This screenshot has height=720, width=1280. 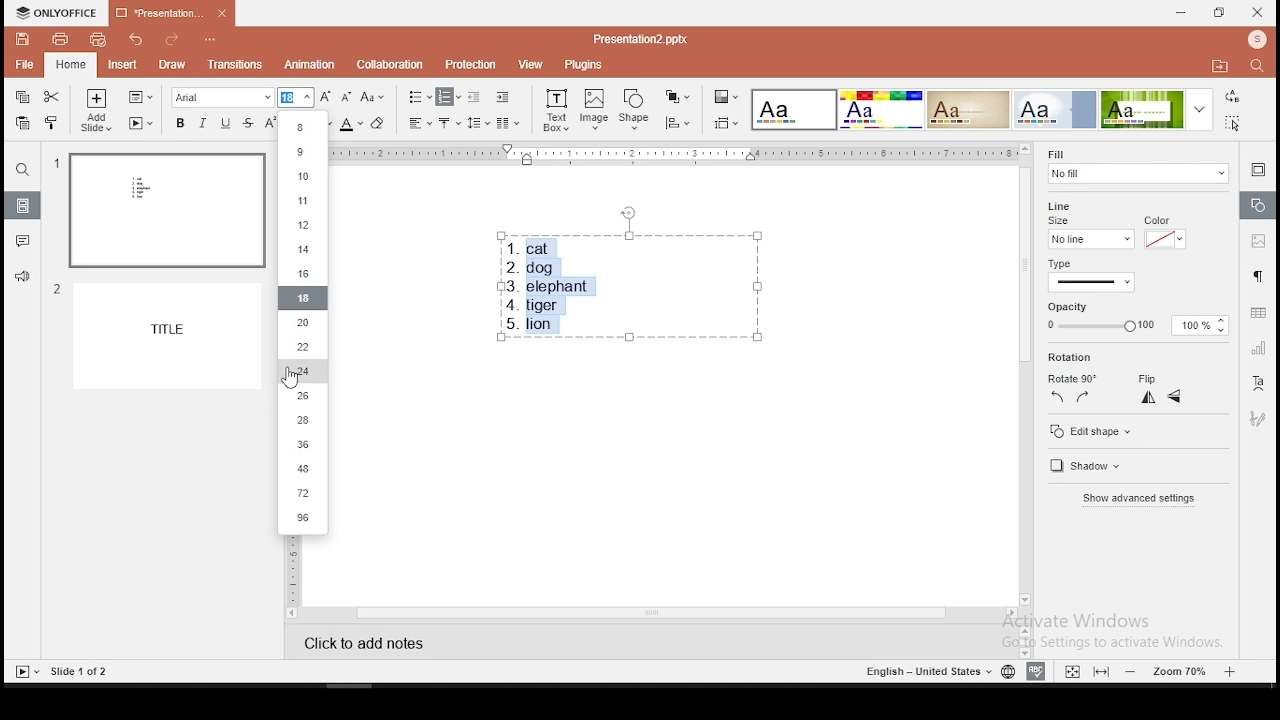 What do you see at coordinates (556, 112) in the screenshot?
I see `text box` at bounding box center [556, 112].